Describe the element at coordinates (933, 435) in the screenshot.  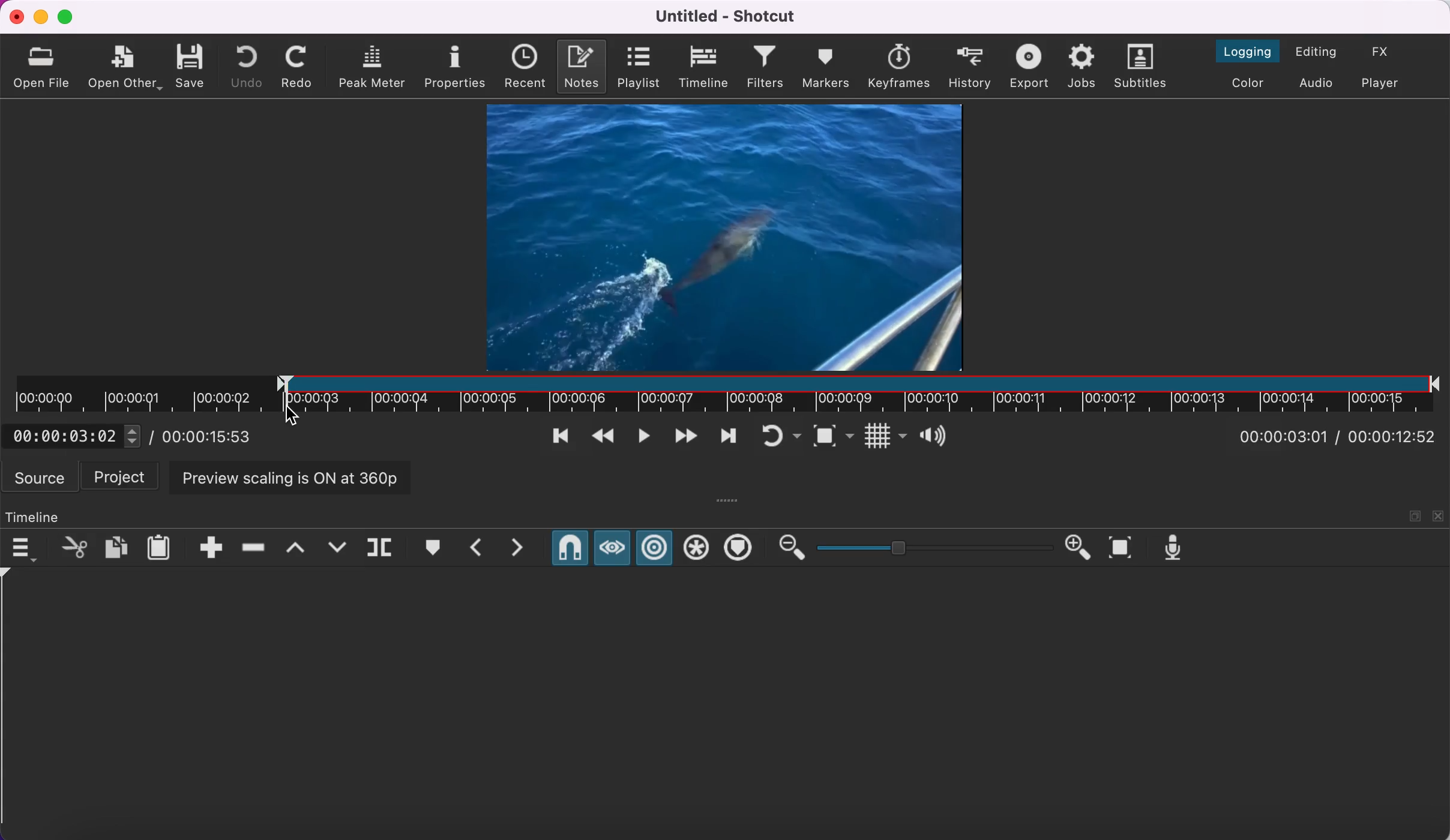
I see `` at that location.